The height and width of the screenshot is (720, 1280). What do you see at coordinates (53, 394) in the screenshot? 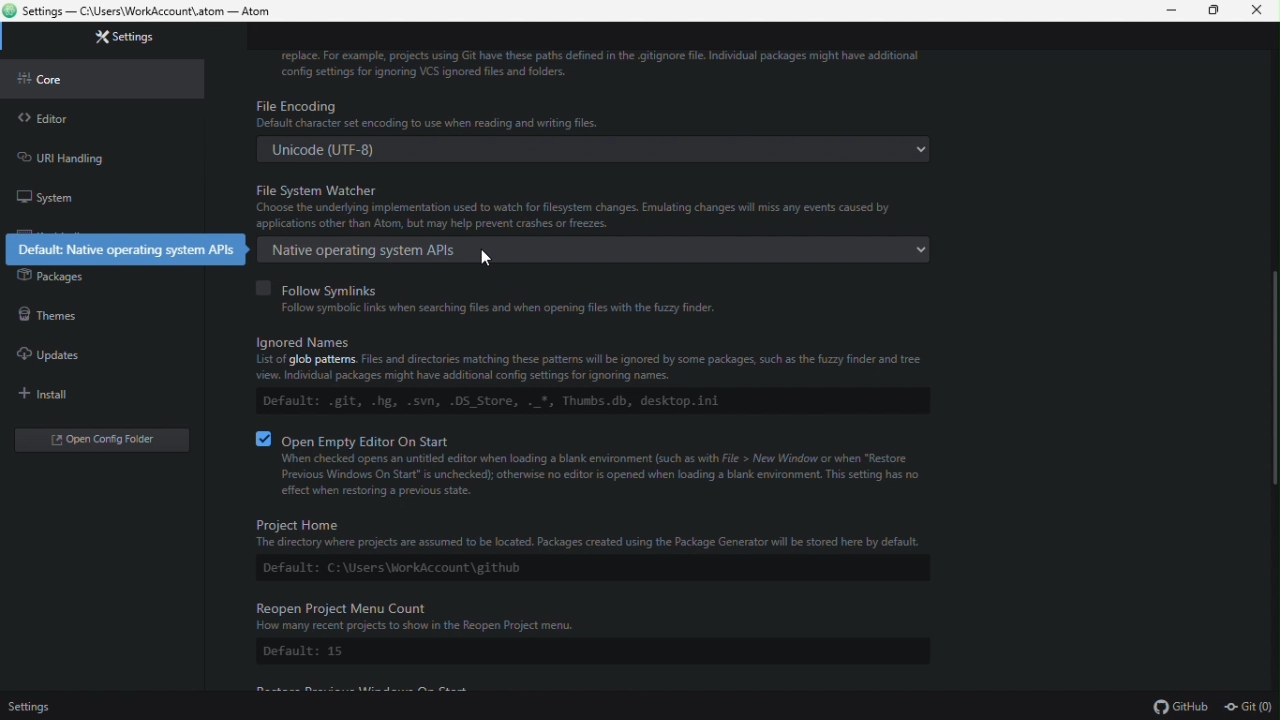
I see `Install` at bounding box center [53, 394].